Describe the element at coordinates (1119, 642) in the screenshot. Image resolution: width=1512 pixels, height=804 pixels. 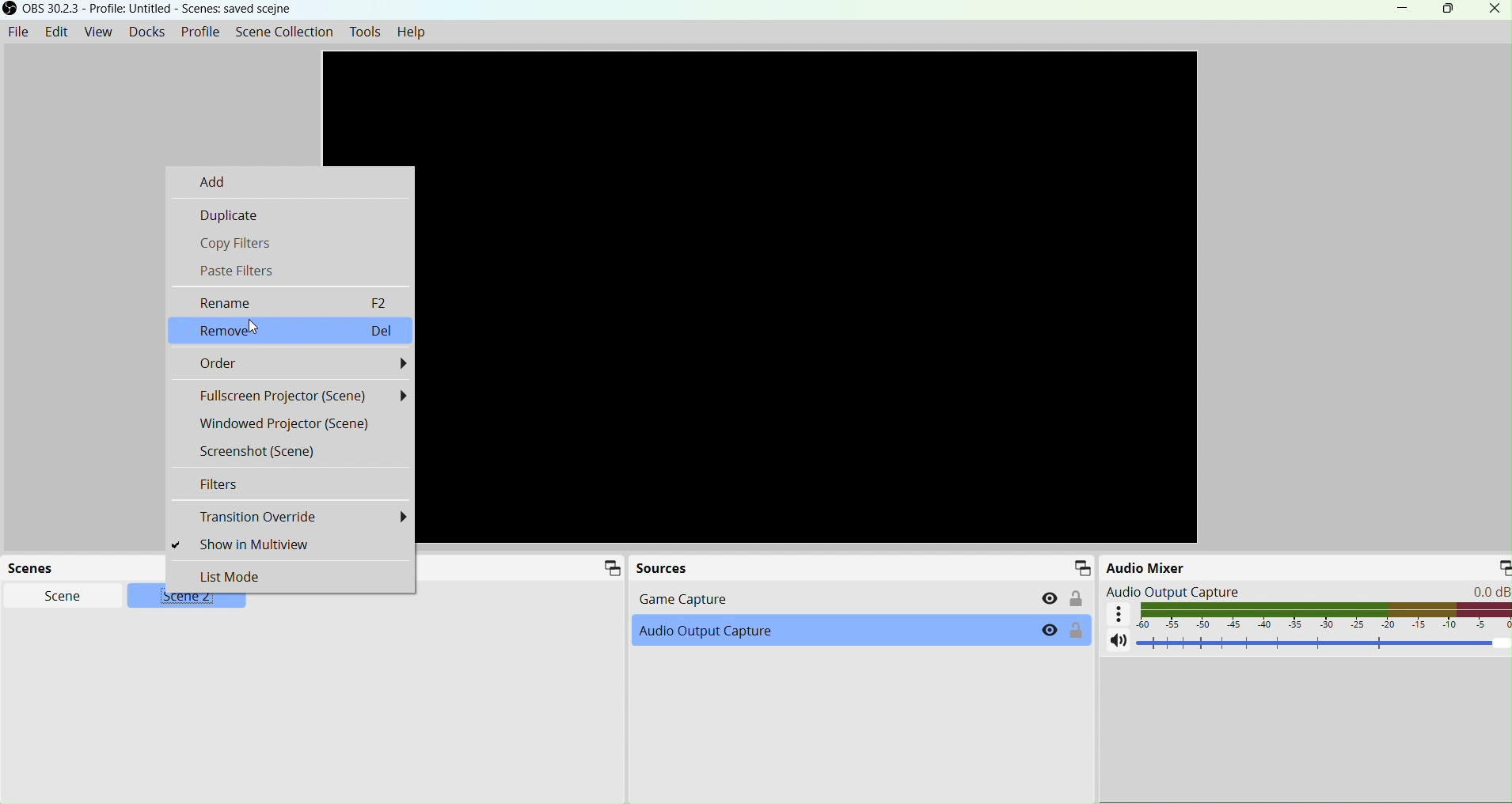
I see `Volume mute/ unmute ` at that location.